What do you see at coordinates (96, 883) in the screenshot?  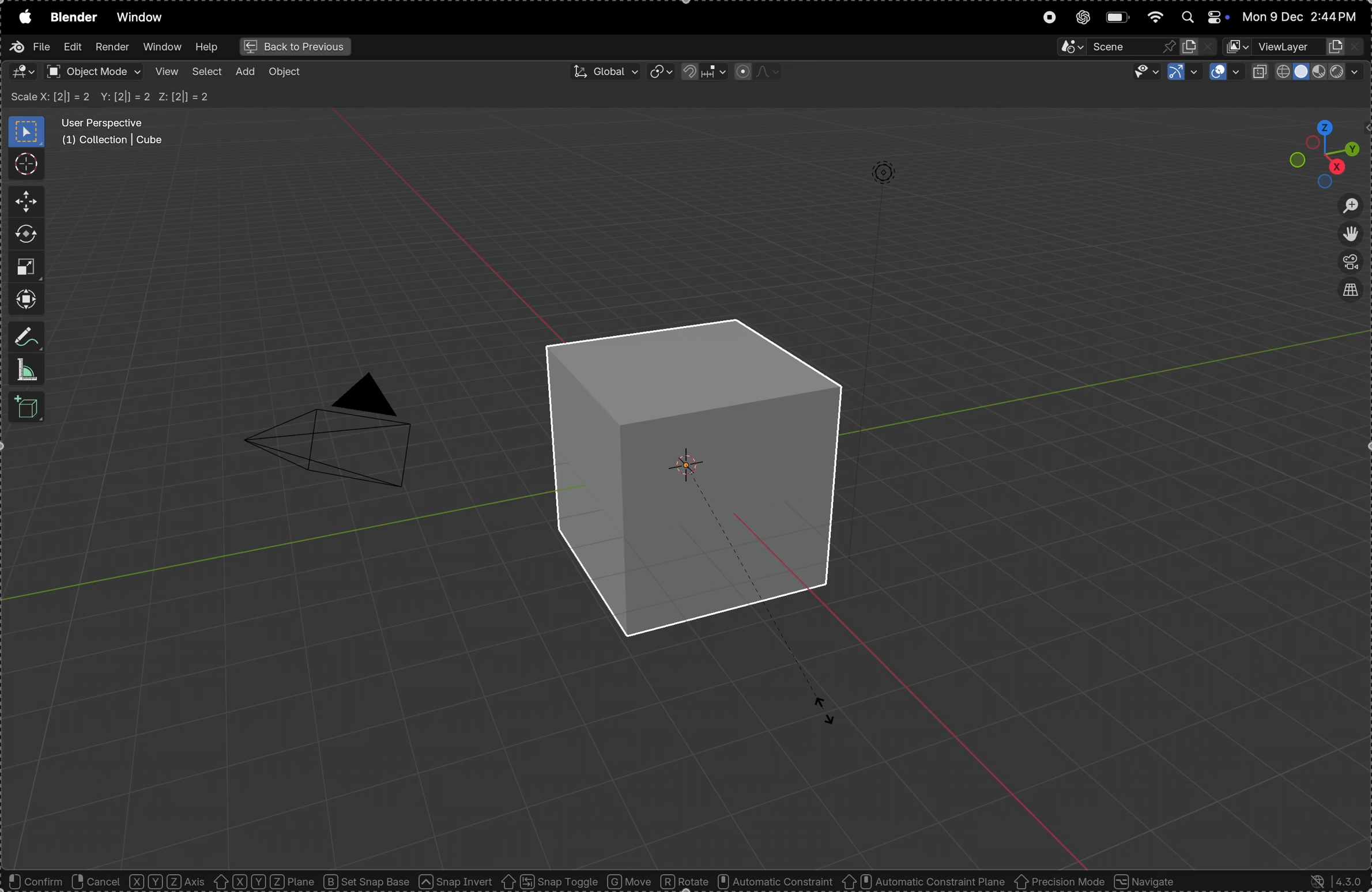 I see `rotate view` at bounding box center [96, 883].